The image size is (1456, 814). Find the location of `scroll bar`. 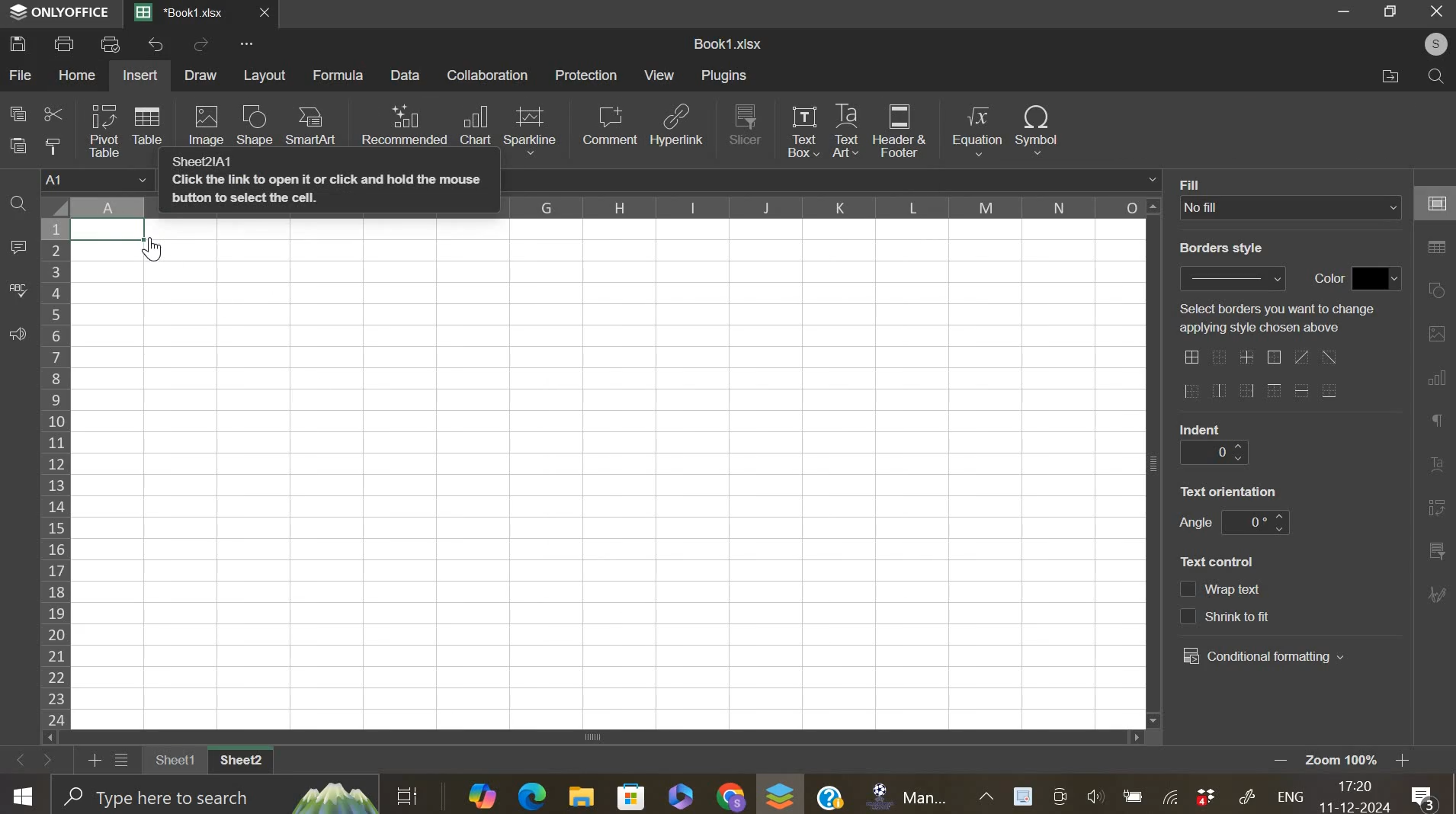

scroll bar is located at coordinates (601, 736).